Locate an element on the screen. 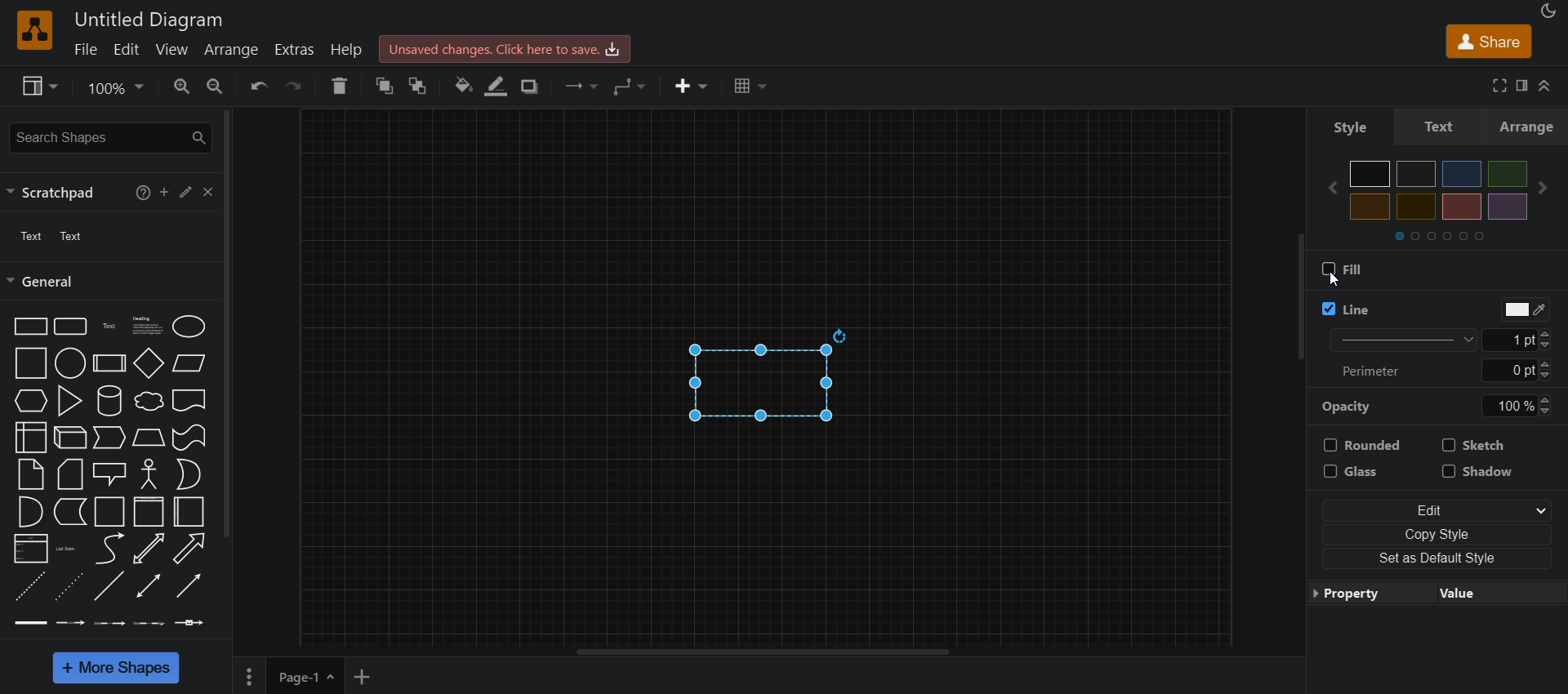  file is located at coordinates (85, 49).